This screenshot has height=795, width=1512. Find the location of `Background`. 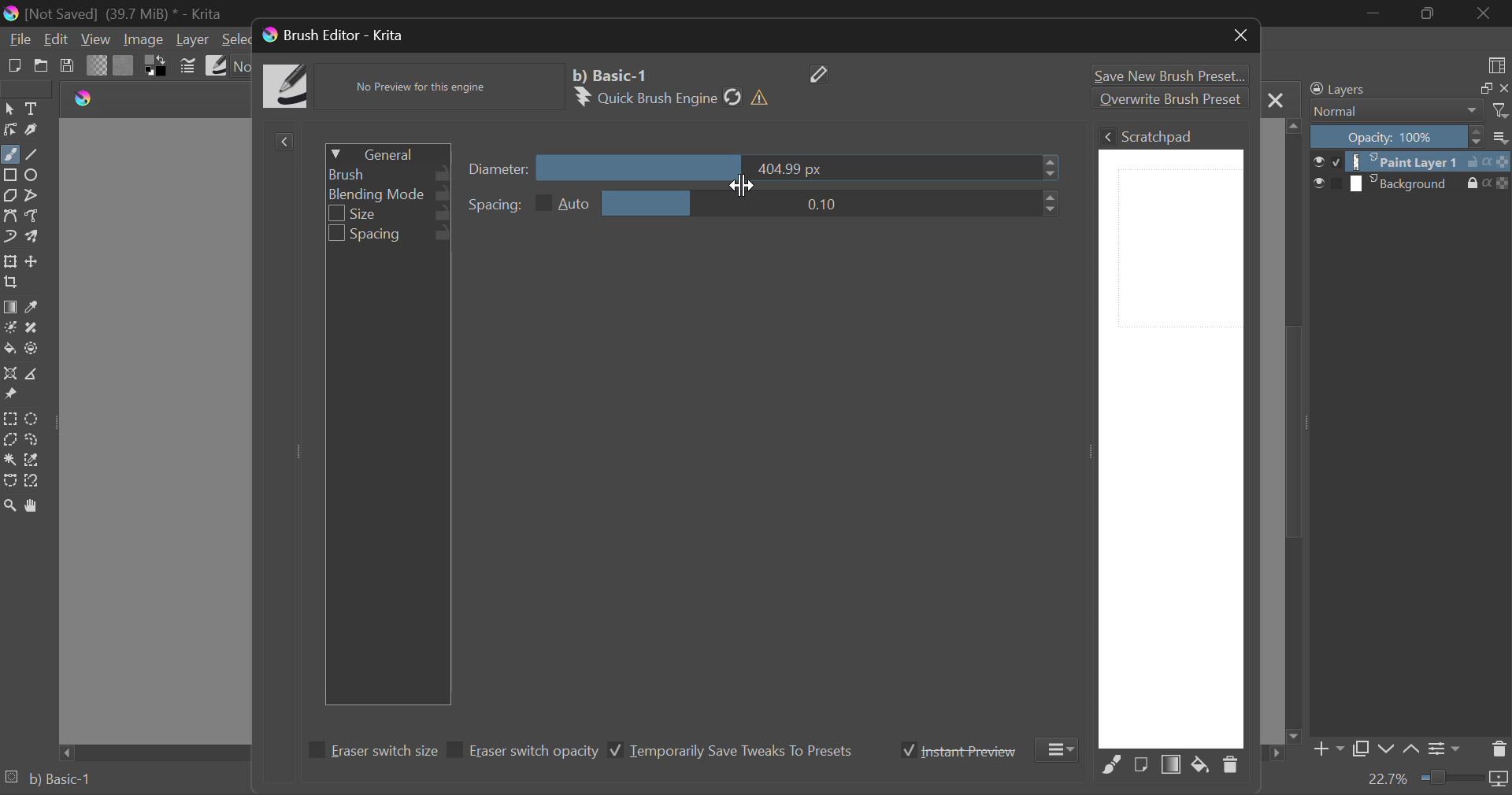

Background is located at coordinates (1411, 183).